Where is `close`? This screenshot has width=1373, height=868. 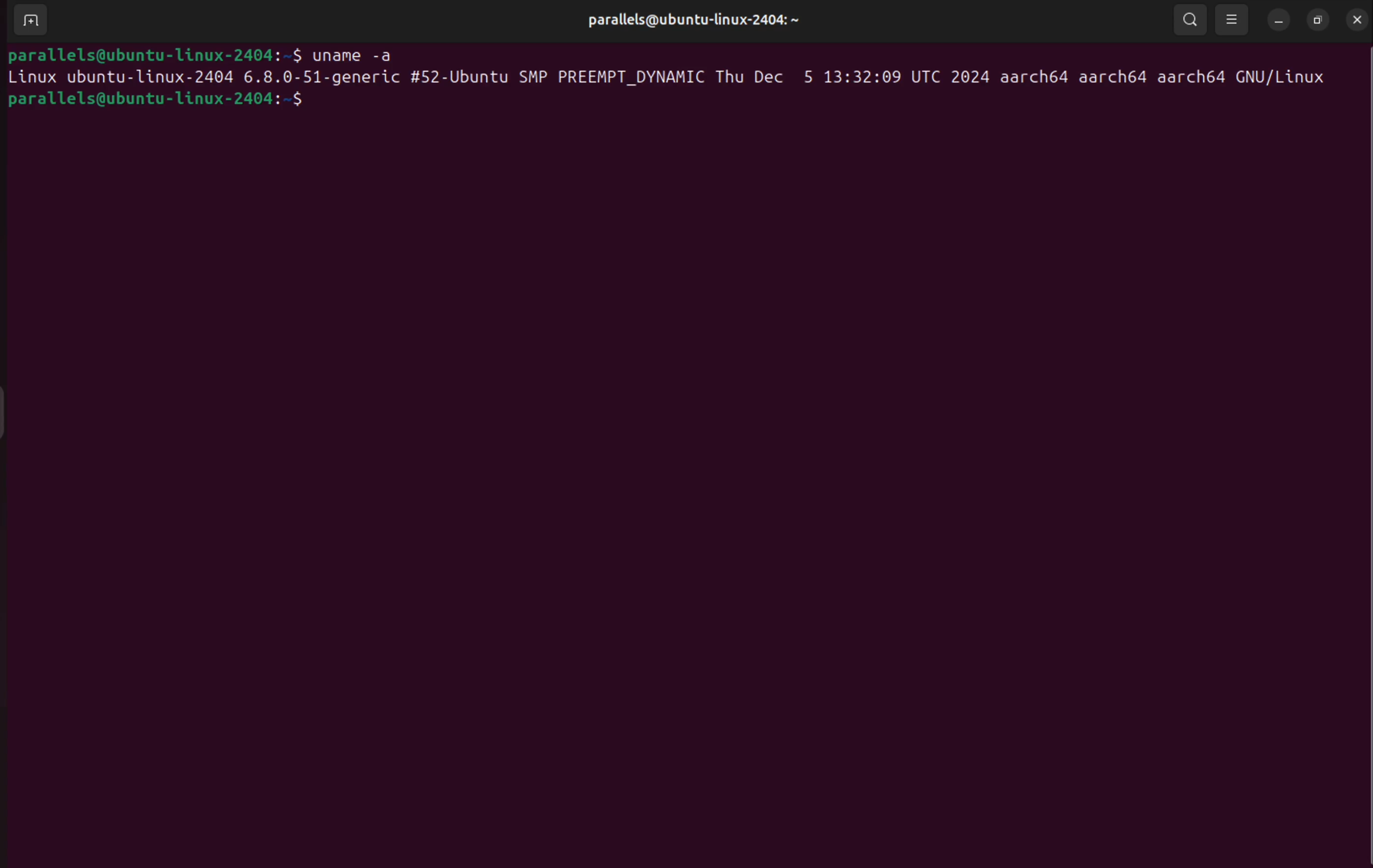 close is located at coordinates (1358, 19).